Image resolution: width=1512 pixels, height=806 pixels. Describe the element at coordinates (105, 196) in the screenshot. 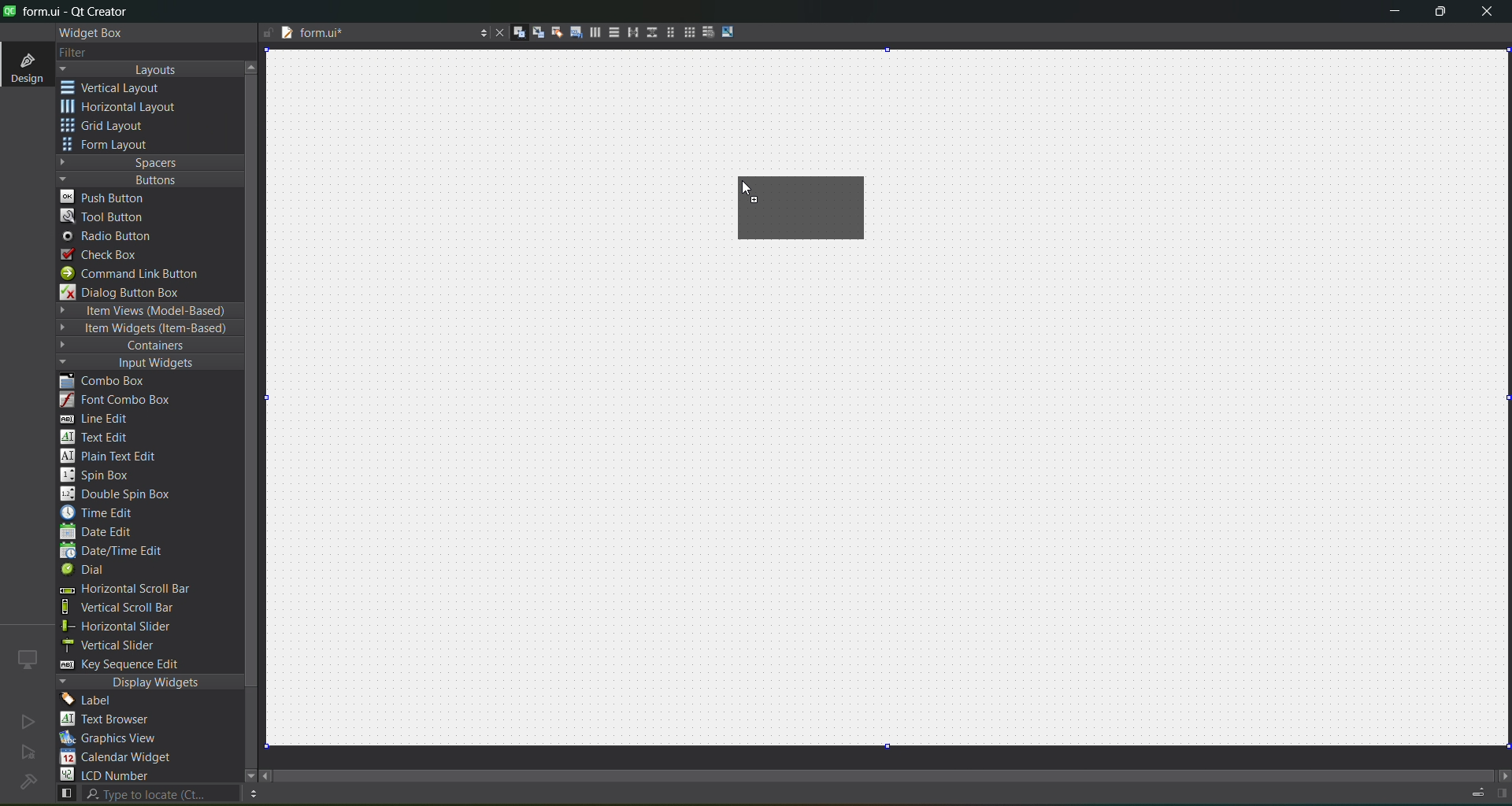

I see `push` at that location.